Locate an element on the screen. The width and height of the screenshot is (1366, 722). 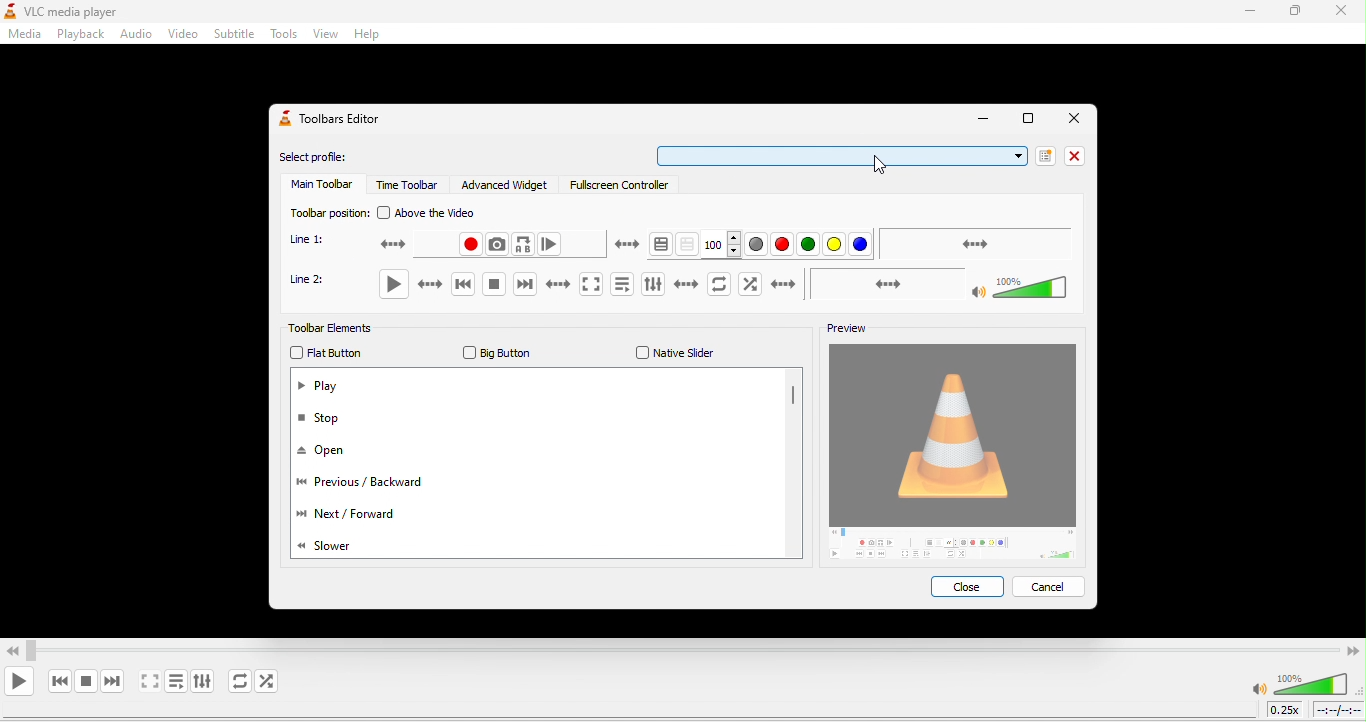
main toolbar is located at coordinates (318, 186).